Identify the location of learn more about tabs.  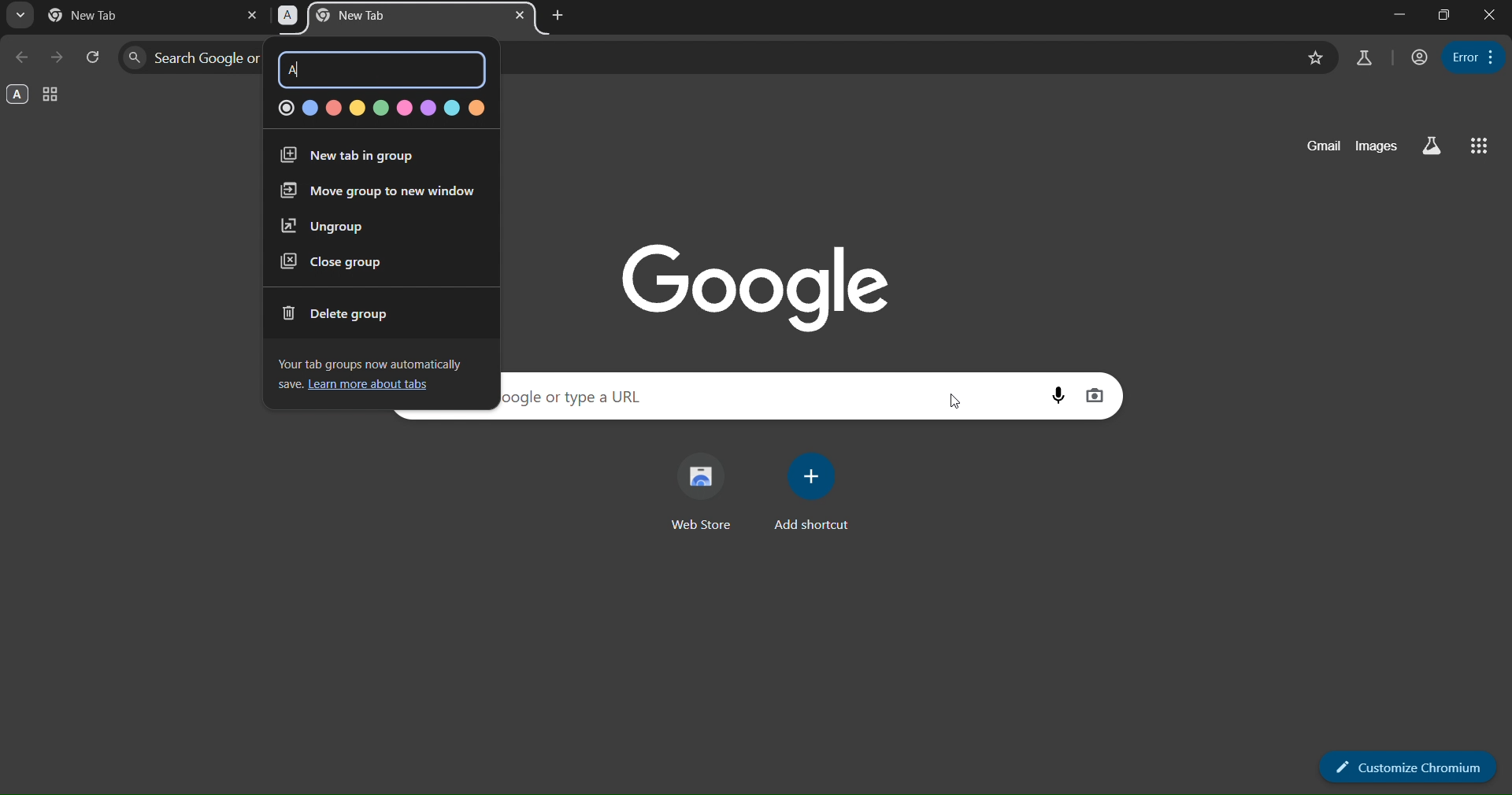
(367, 386).